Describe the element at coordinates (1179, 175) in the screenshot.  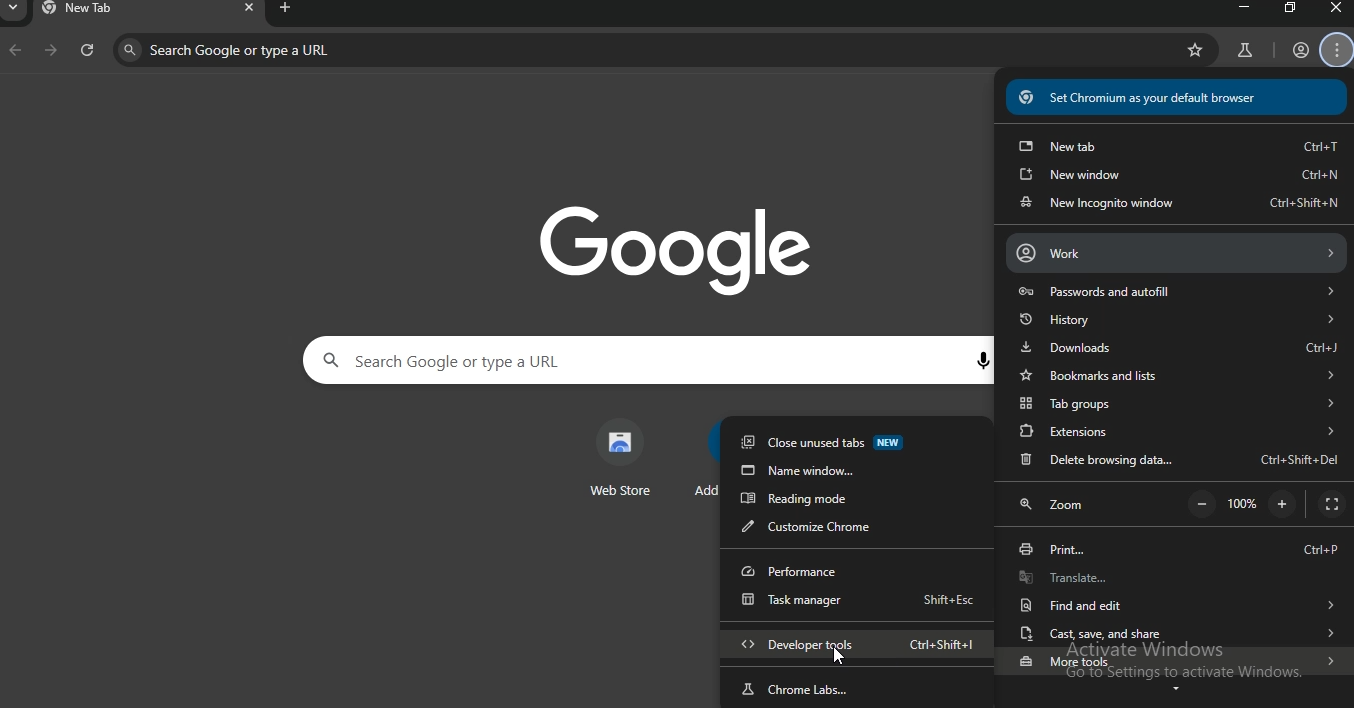
I see `new window` at that location.